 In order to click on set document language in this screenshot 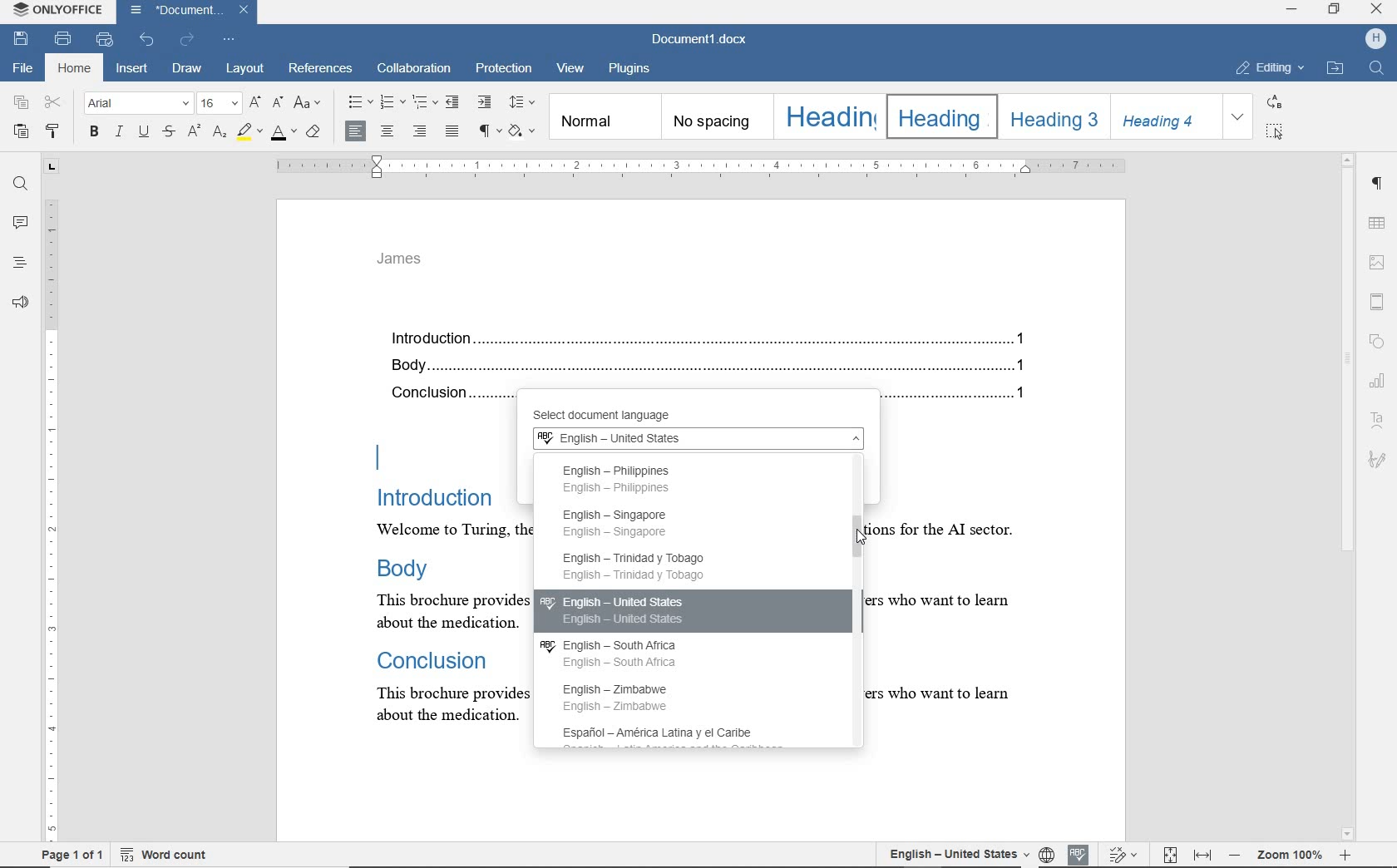, I will do `click(950, 853)`.